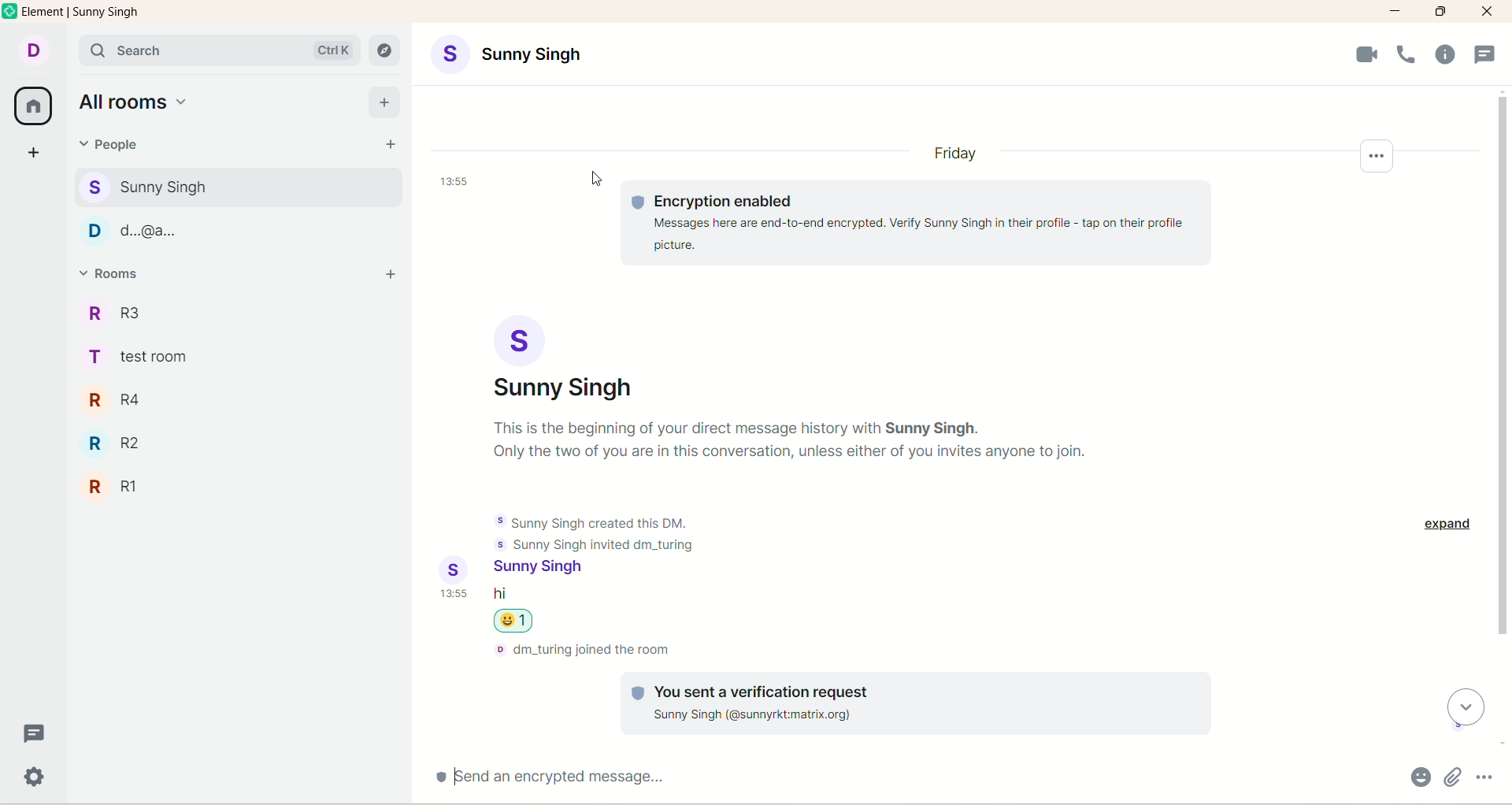  What do you see at coordinates (596, 179) in the screenshot?
I see `Cursor` at bounding box center [596, 179].